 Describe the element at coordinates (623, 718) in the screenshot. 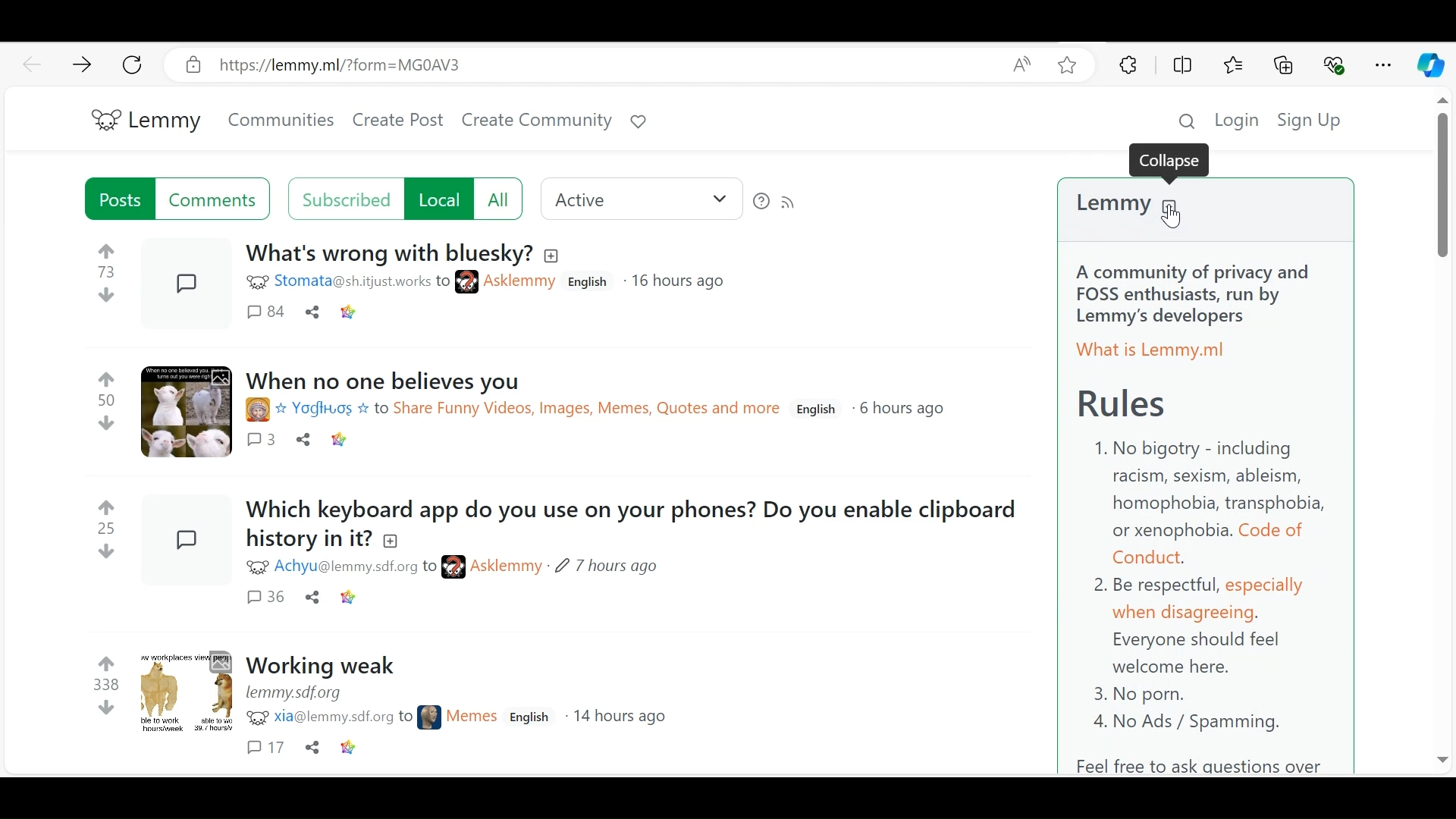

I see `Time posted` at that location.